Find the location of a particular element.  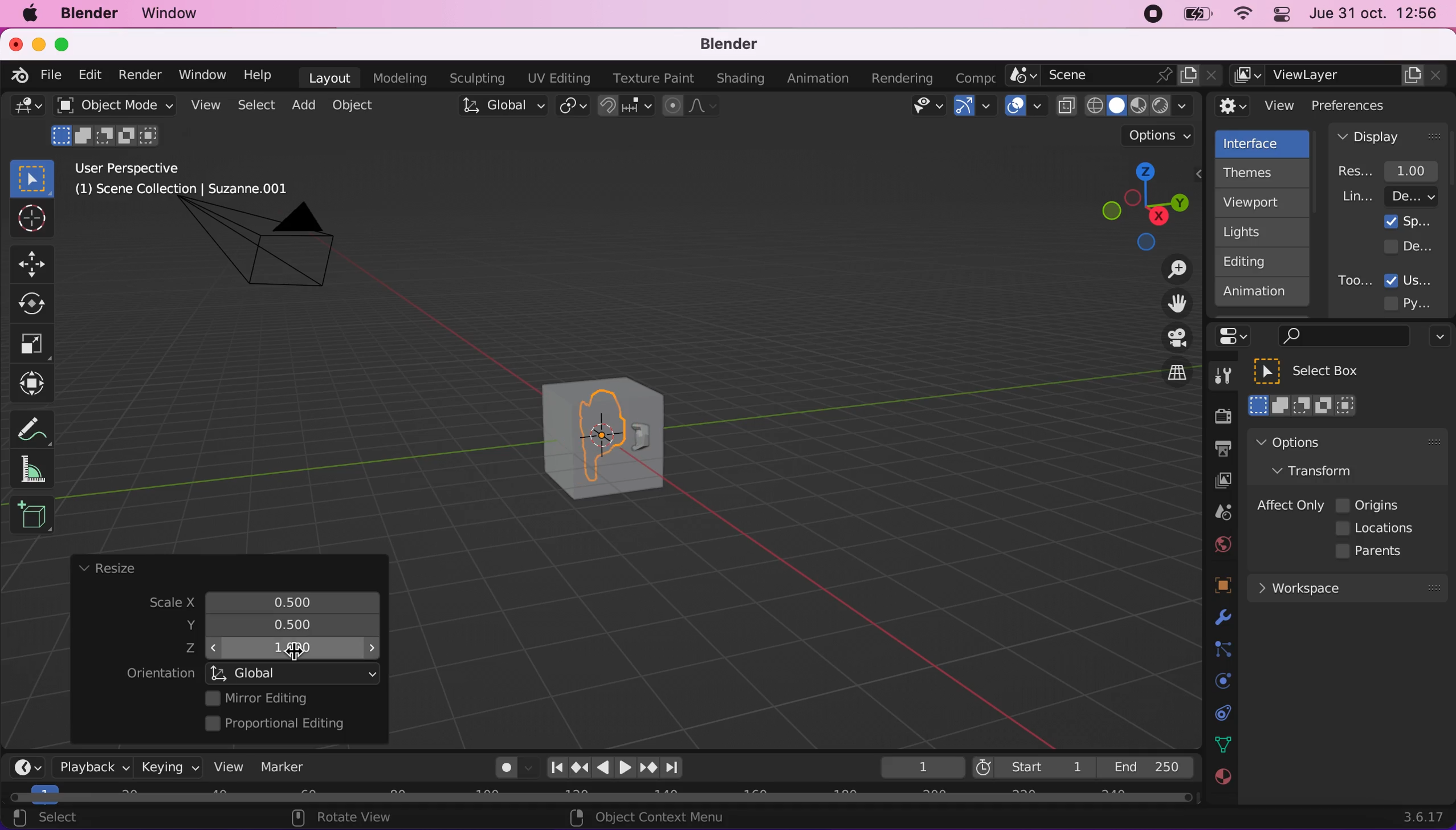

transform pivot point is located at coordinates (574, 107).